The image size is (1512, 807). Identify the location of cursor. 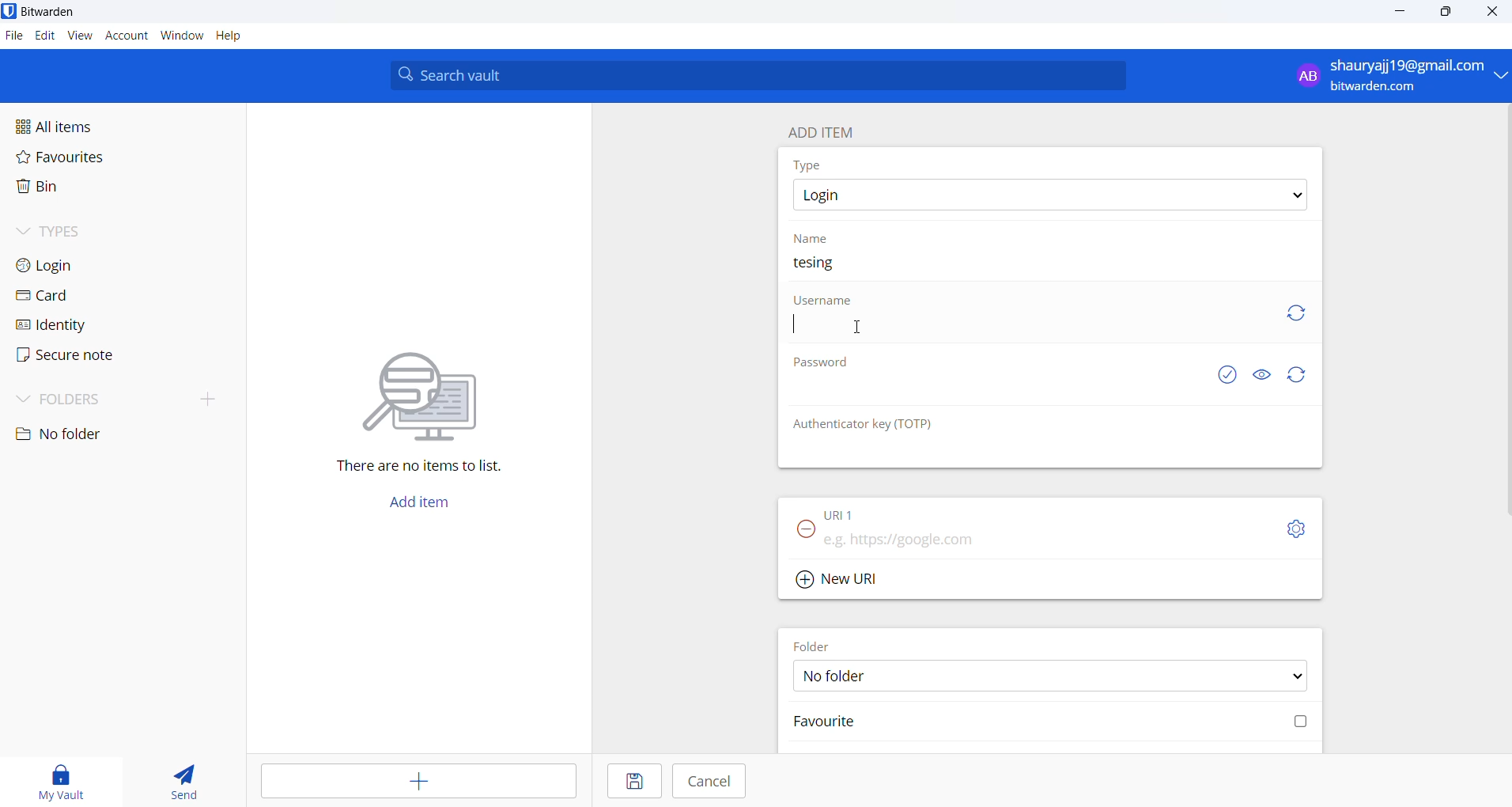
(859, 329).